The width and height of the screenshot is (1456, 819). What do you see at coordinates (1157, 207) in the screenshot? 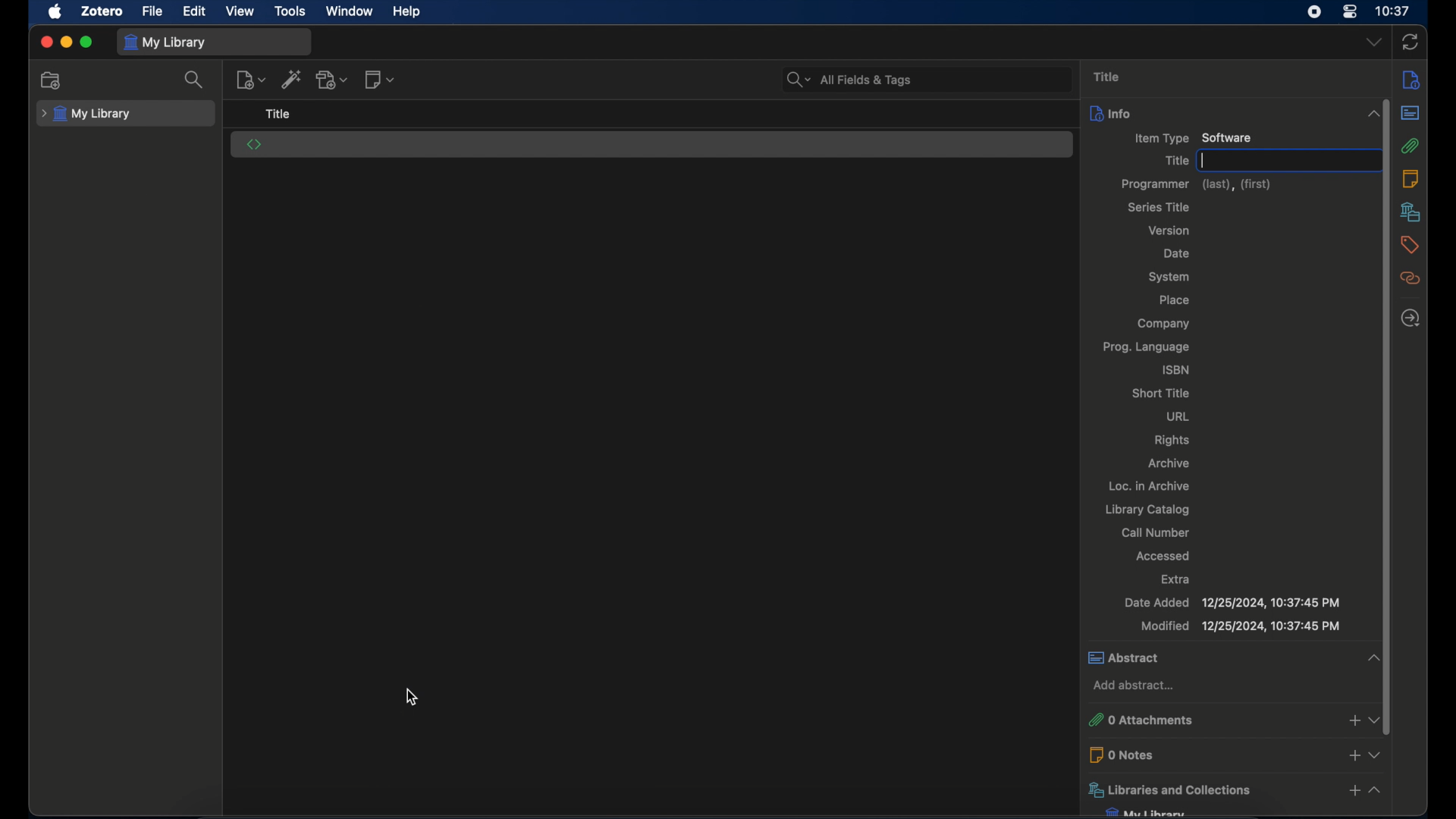
I see `series title ` at bounding box center [1157, 207].